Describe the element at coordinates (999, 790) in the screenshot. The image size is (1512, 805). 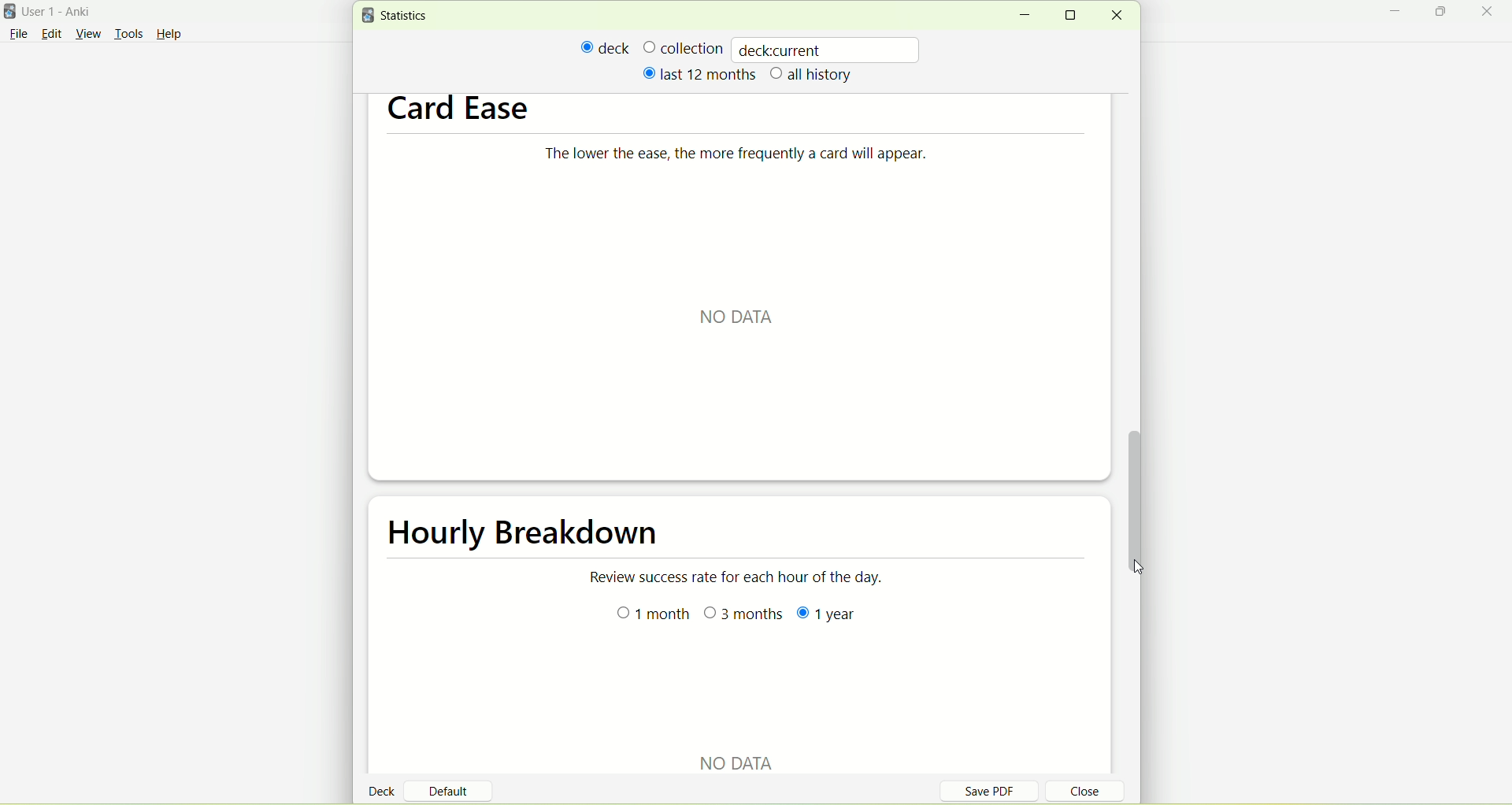
I see `save PDF` at that location.